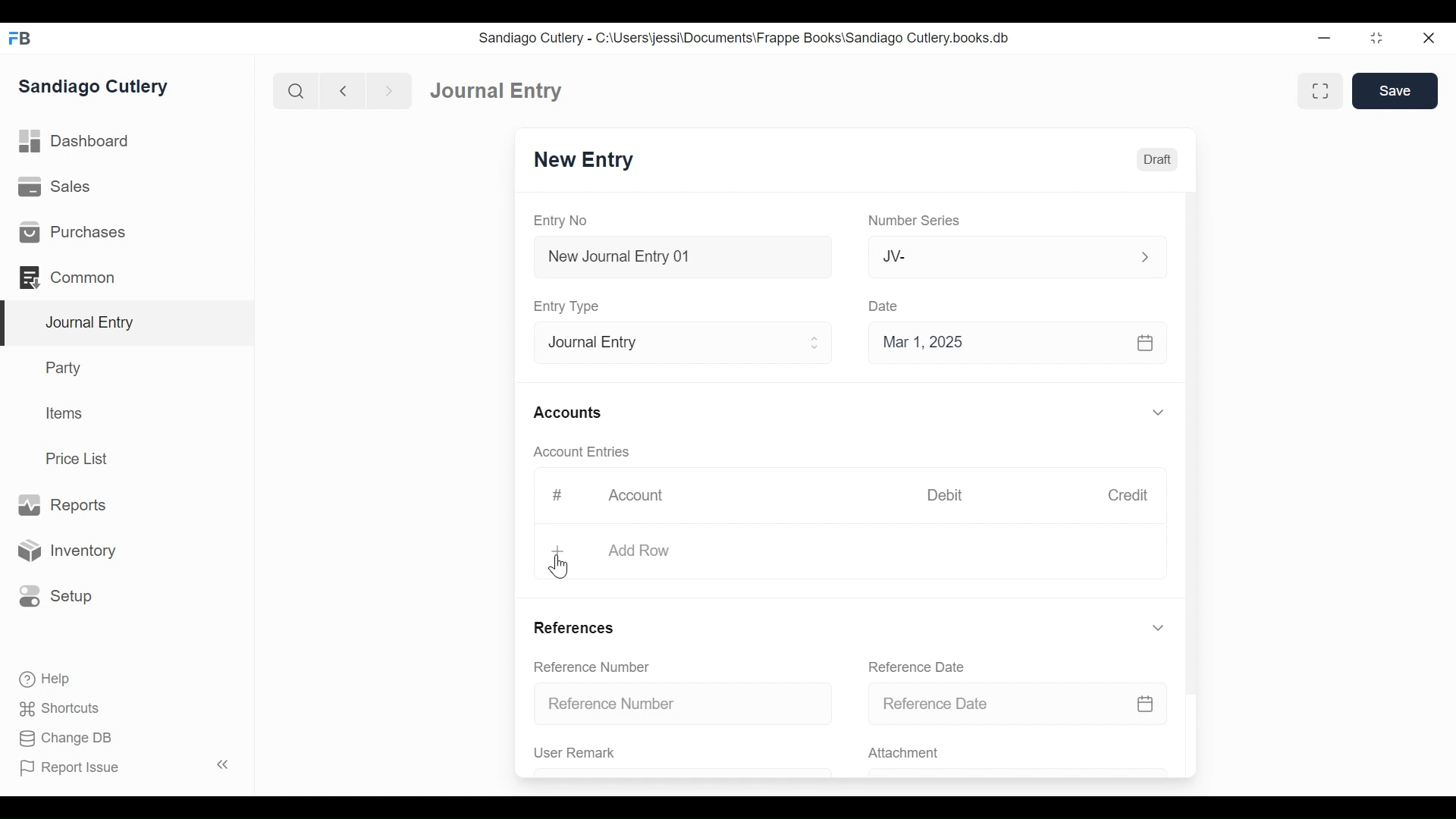 The image size is (1456, 819). Describe the element at coordinates (682, 756) in the screenshot. I see `User Remark` at that location.